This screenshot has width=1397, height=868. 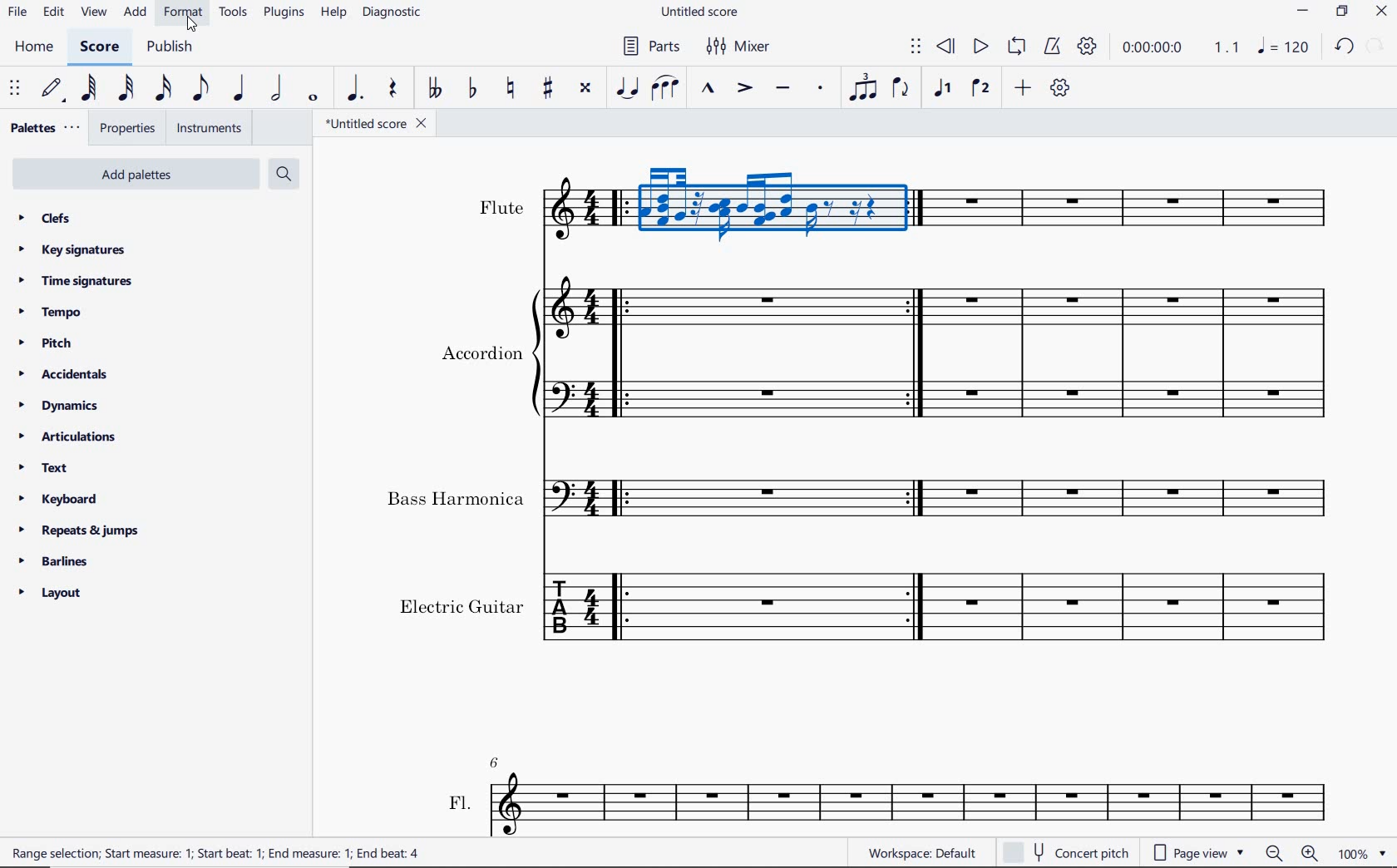 What do you see at coordinates (129, 129) in the screenshot?
I see `properties` at bounding box center [129, 129].